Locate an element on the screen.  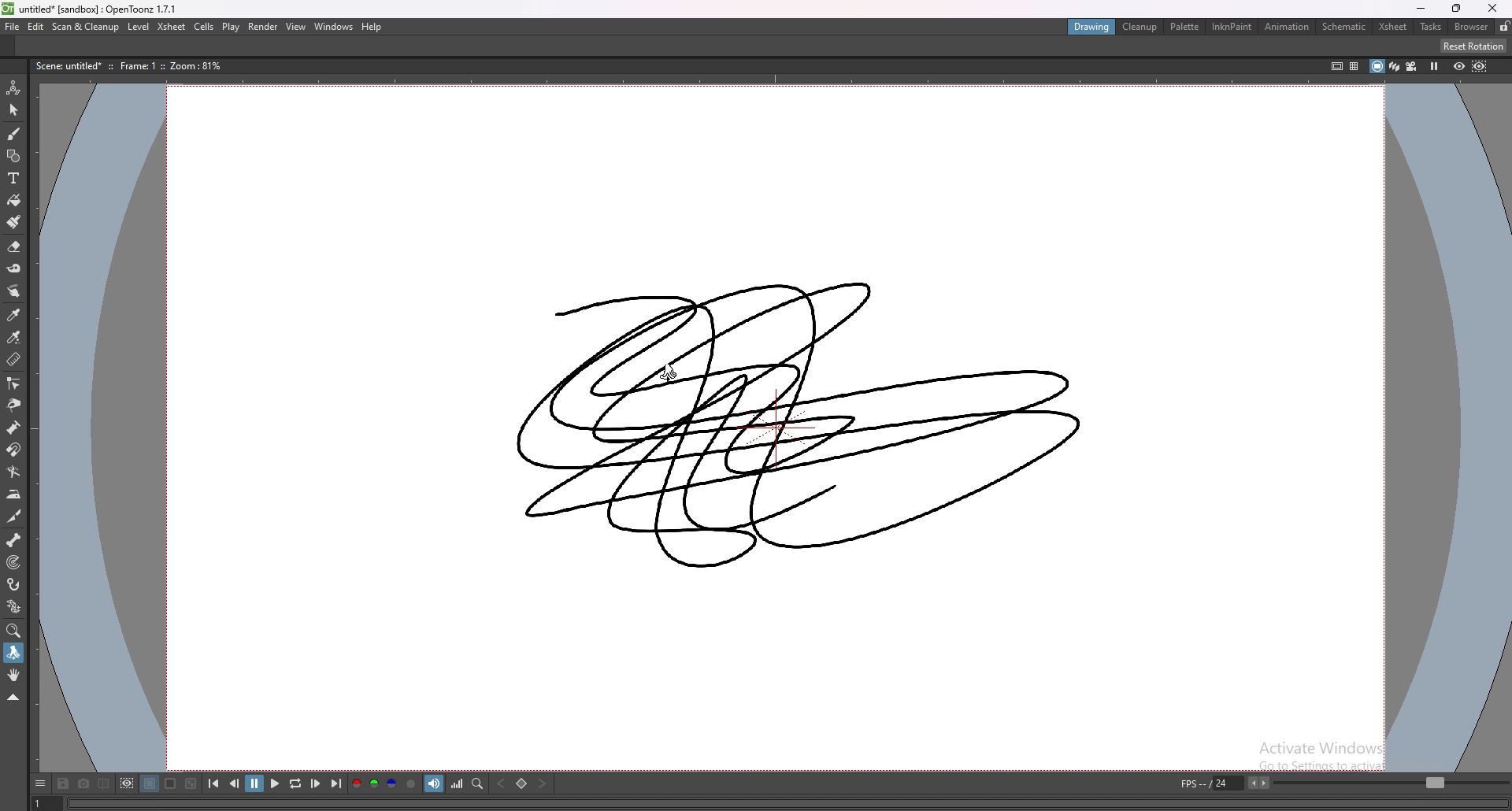
previous frame is located at coordinates (235, 784).